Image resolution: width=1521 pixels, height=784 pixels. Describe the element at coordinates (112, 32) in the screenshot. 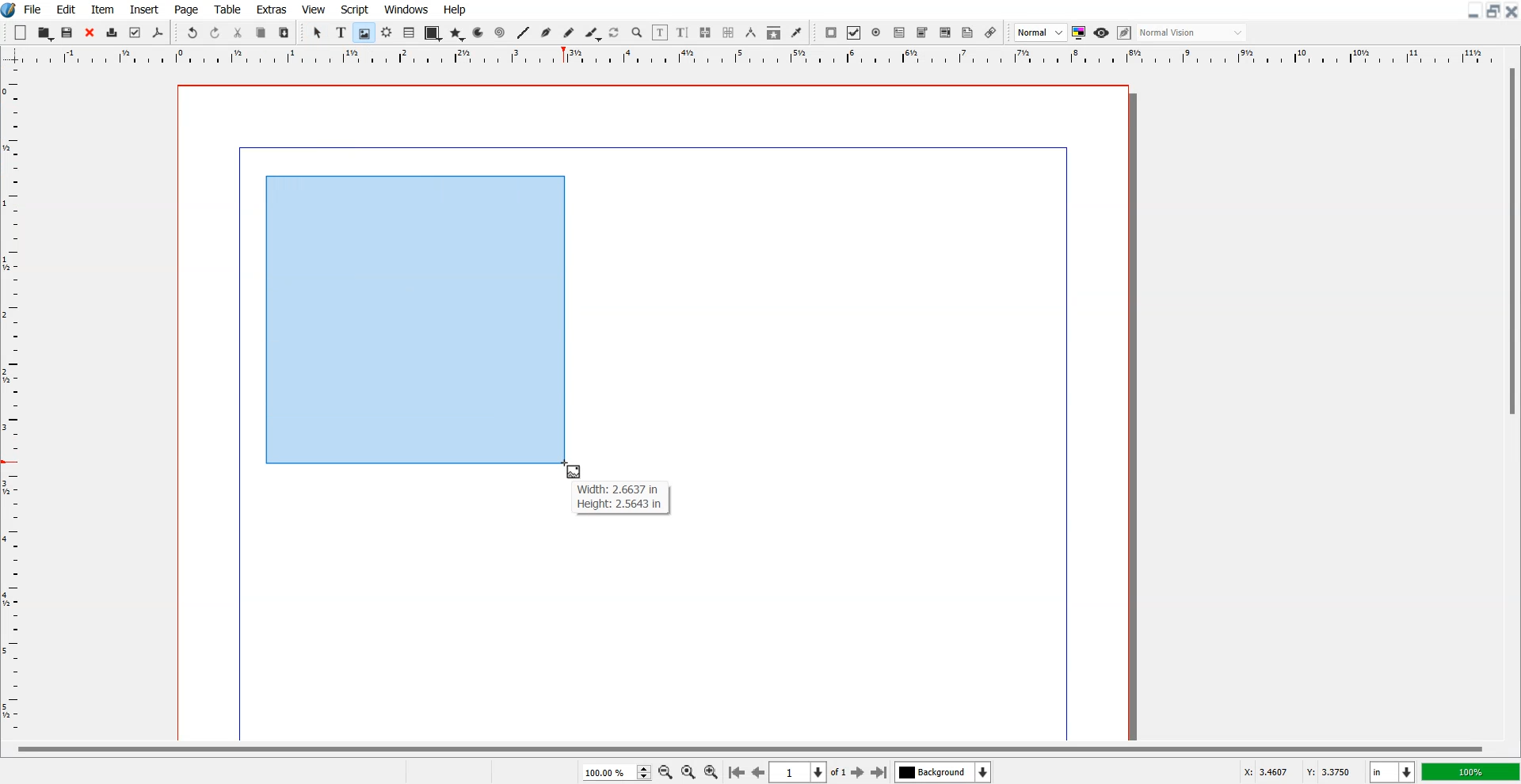

I see `Print` at that location.